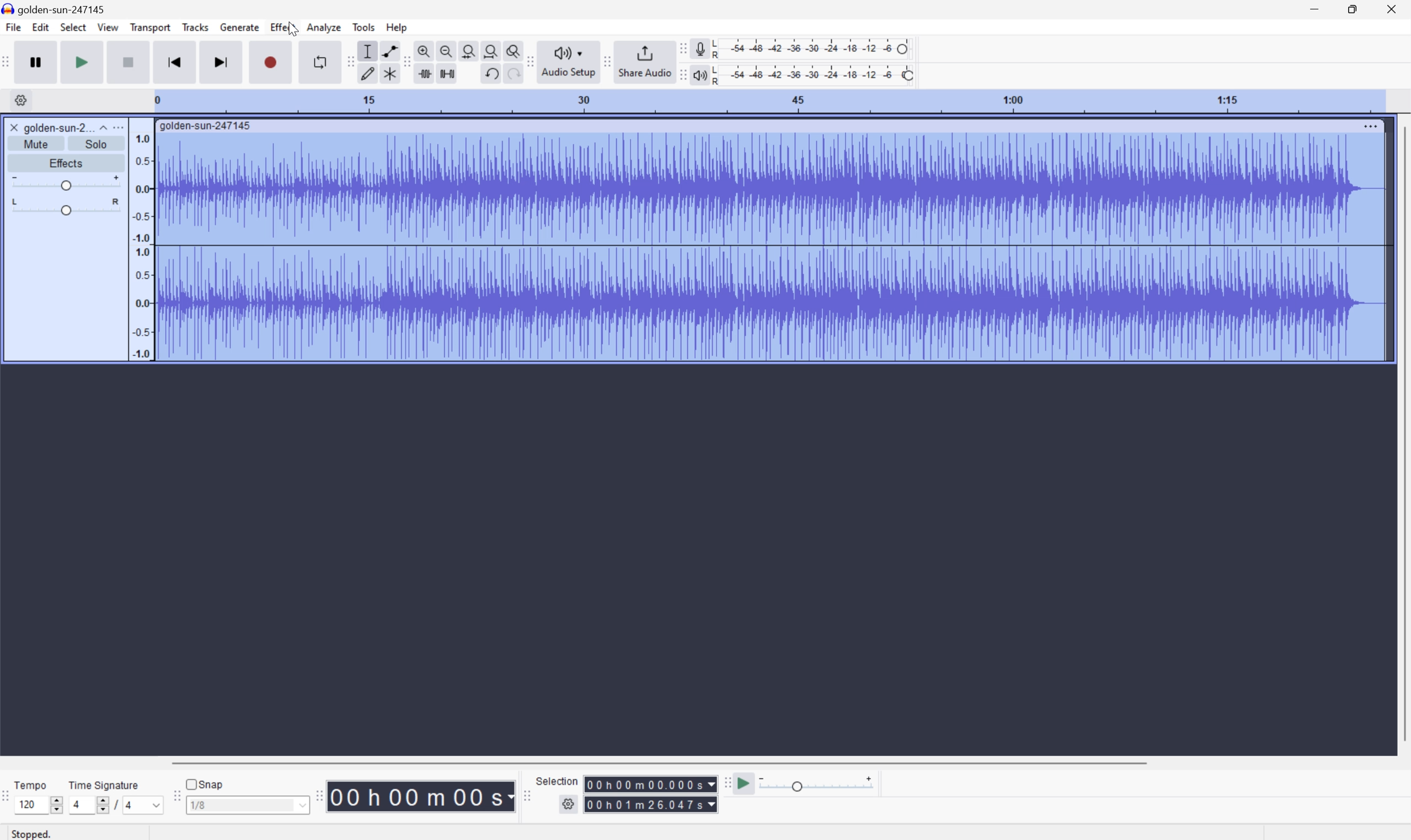  I want to click on Solo, so click(96, 144).